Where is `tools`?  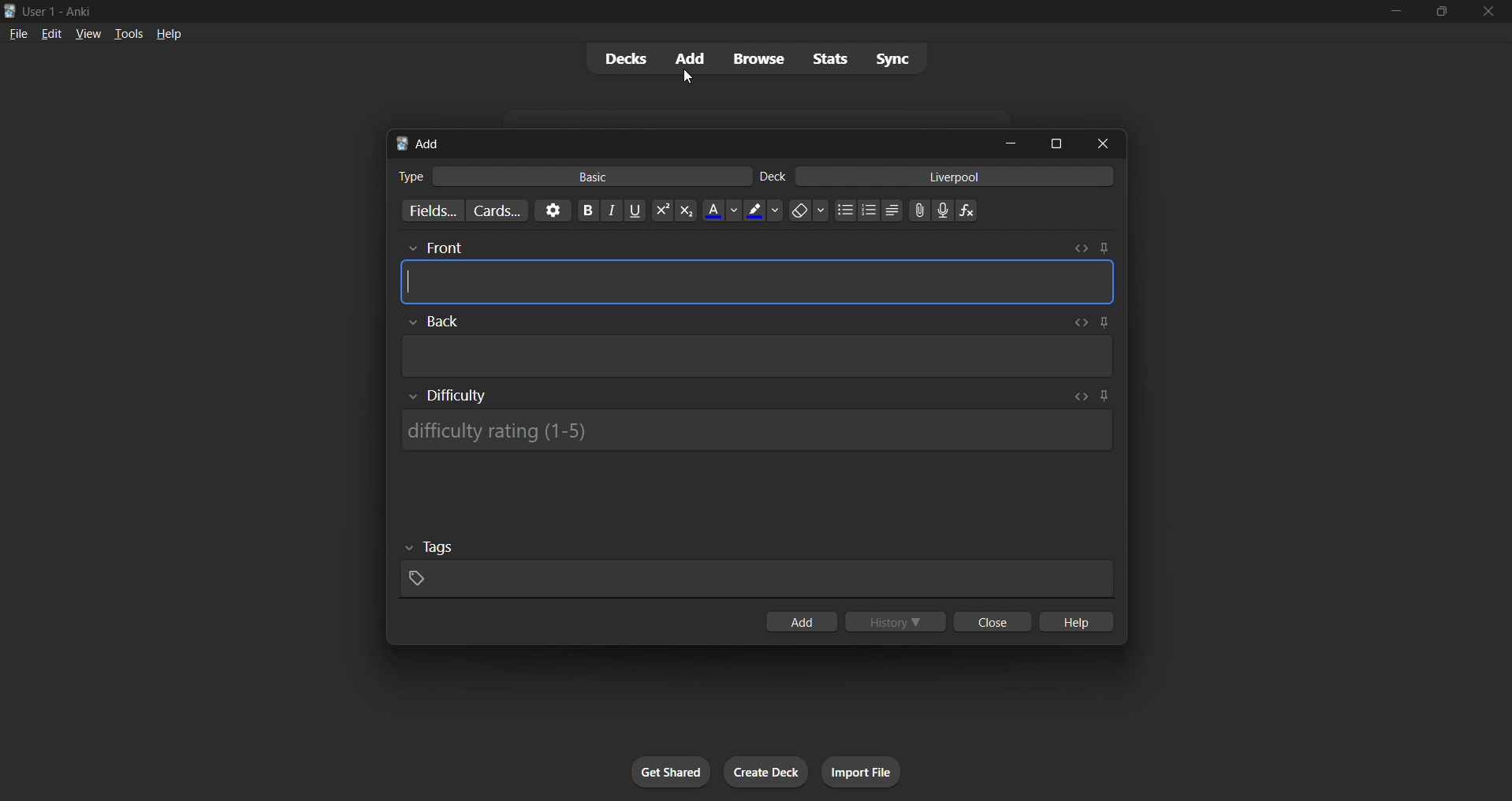
tools is located at coordinates (128, 33).